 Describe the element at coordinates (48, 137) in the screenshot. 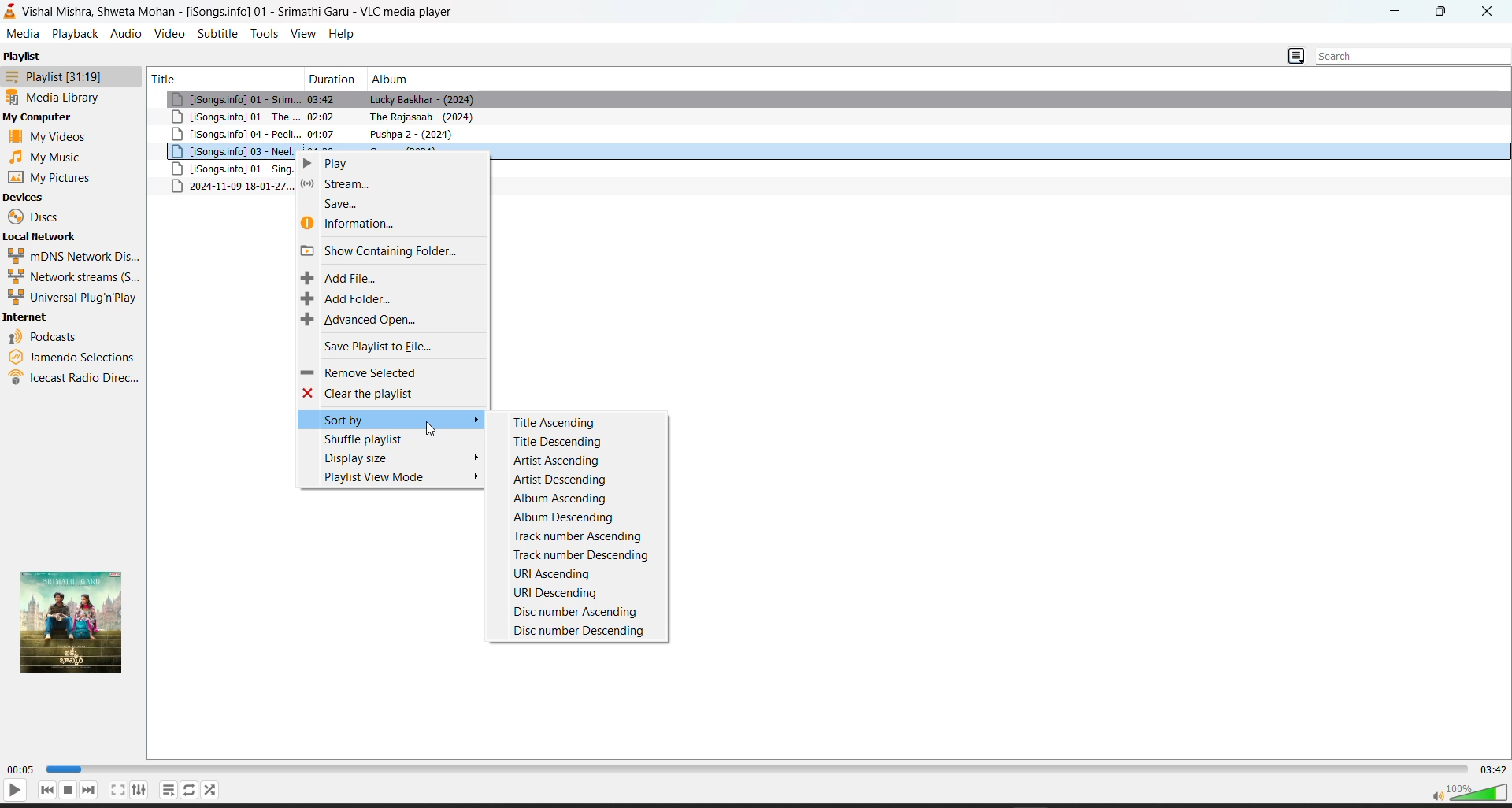

I see `videos` at that location.